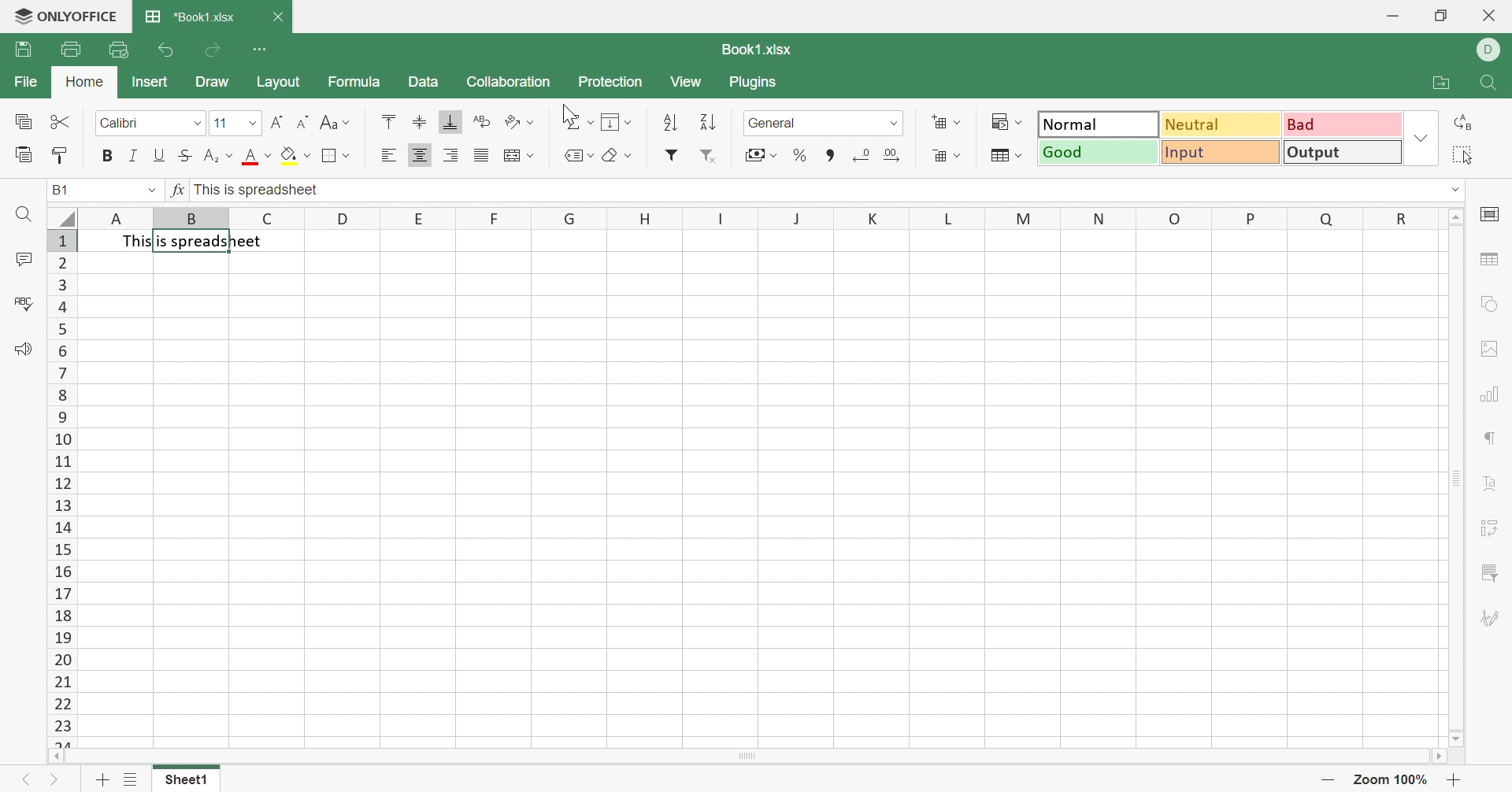 This screenshot has width=1512, height=792. What do you see at coordinates (419, 121) in the screenshot?
I see `Align Middle` at bounding box center [419, 121].